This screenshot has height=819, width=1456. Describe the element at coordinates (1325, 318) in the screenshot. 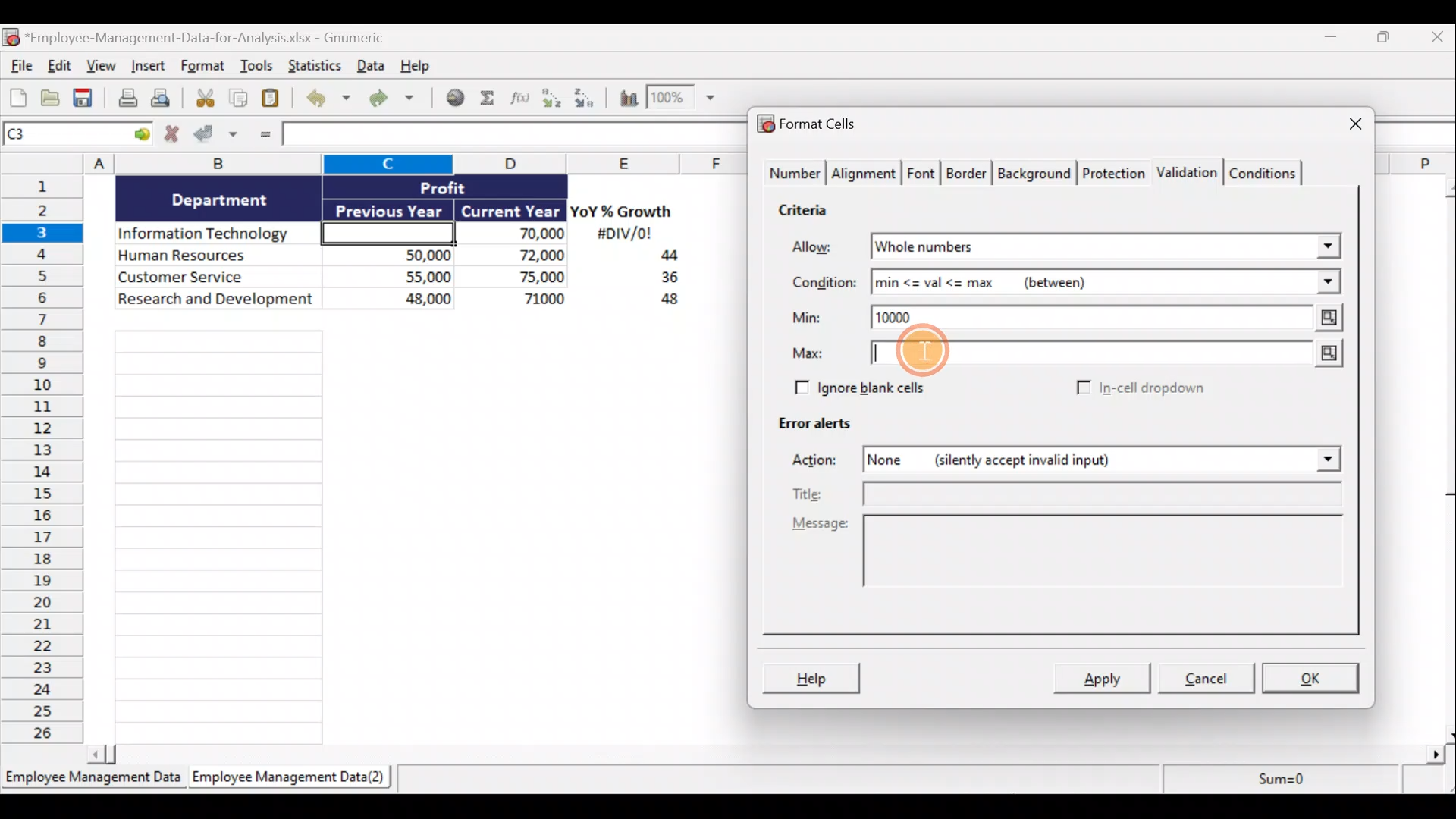

I see `Min value` at that location.